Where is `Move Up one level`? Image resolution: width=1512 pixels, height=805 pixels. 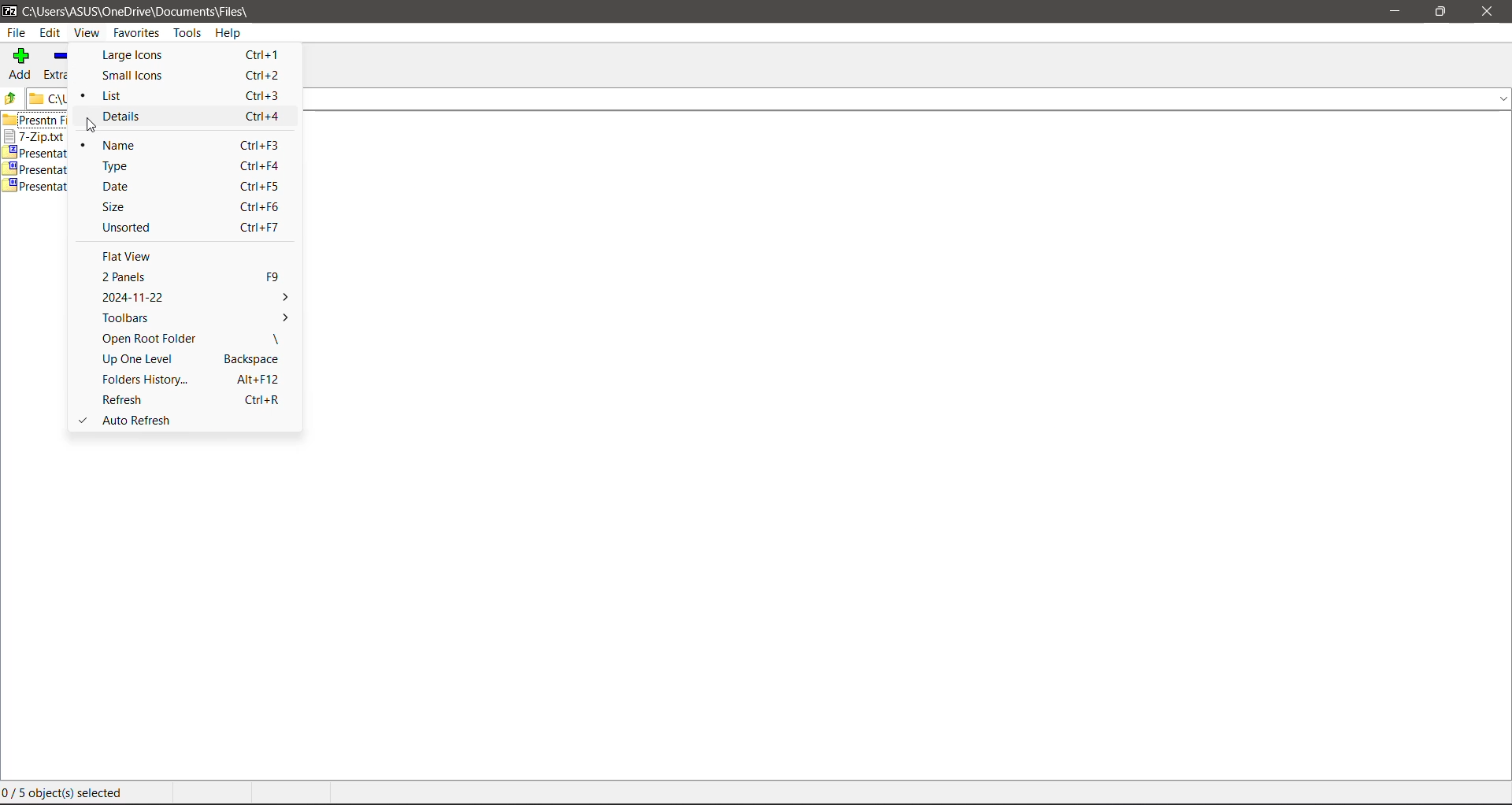
Move Up one level is located at coordinates (11, 98).